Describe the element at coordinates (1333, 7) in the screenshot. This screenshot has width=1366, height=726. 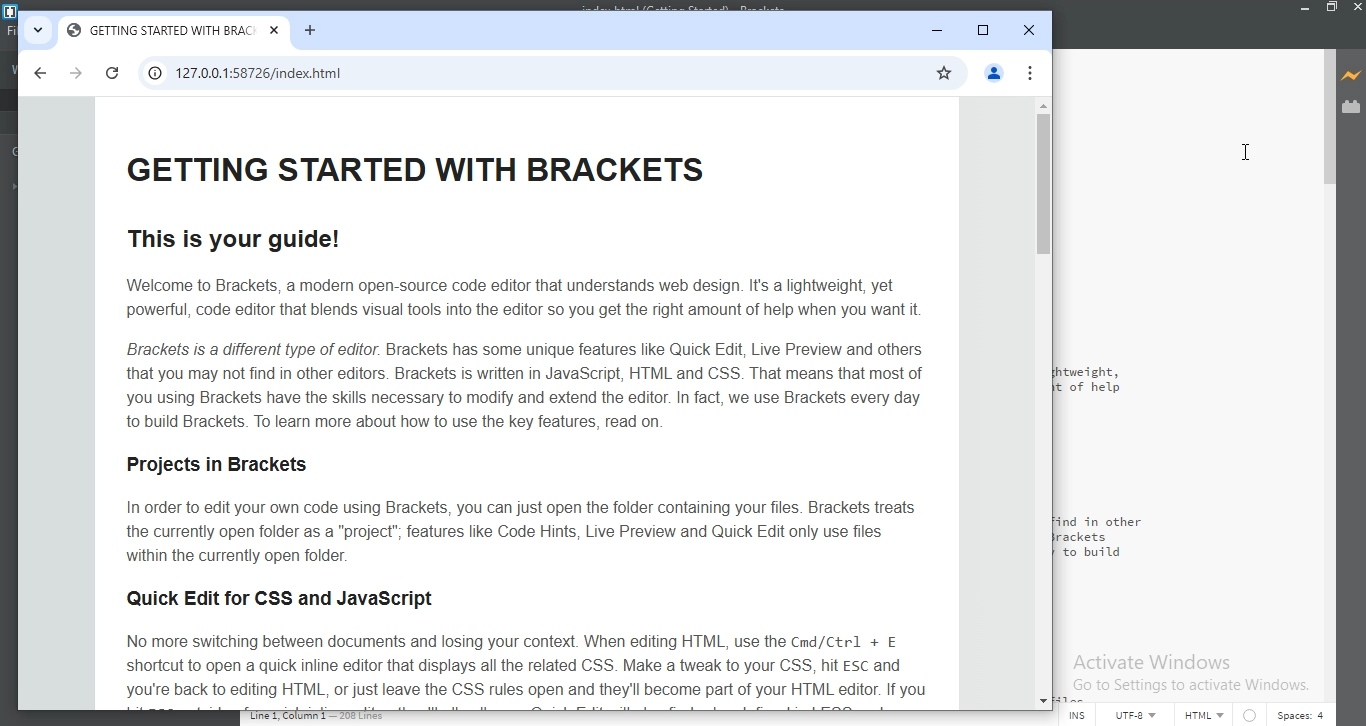
I see `minimize` at that location.